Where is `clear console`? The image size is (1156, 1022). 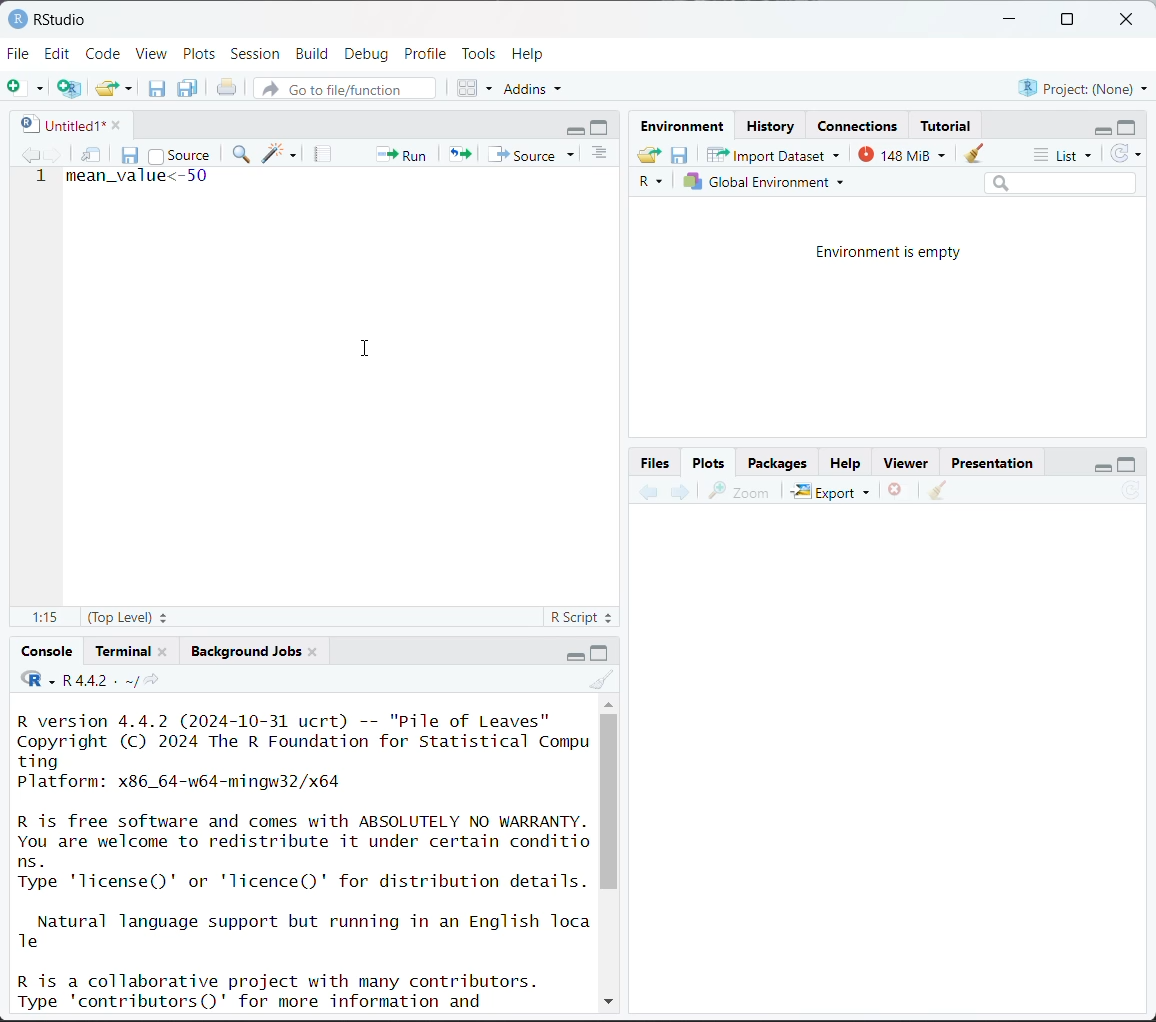
clear console is located at coordinates (604, 680).